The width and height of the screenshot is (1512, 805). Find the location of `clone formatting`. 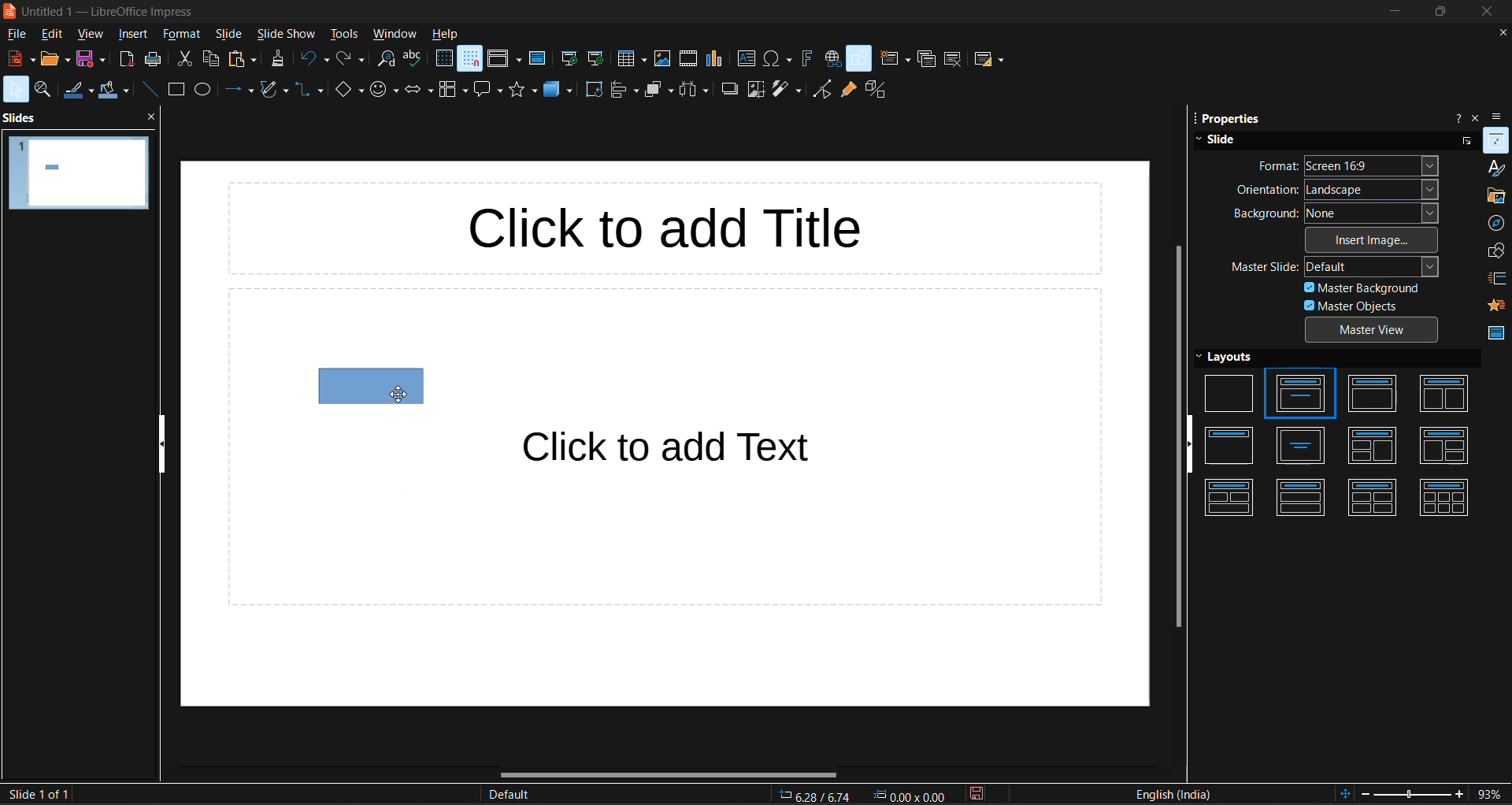

clone formatting is located at coordinates (278, 58).